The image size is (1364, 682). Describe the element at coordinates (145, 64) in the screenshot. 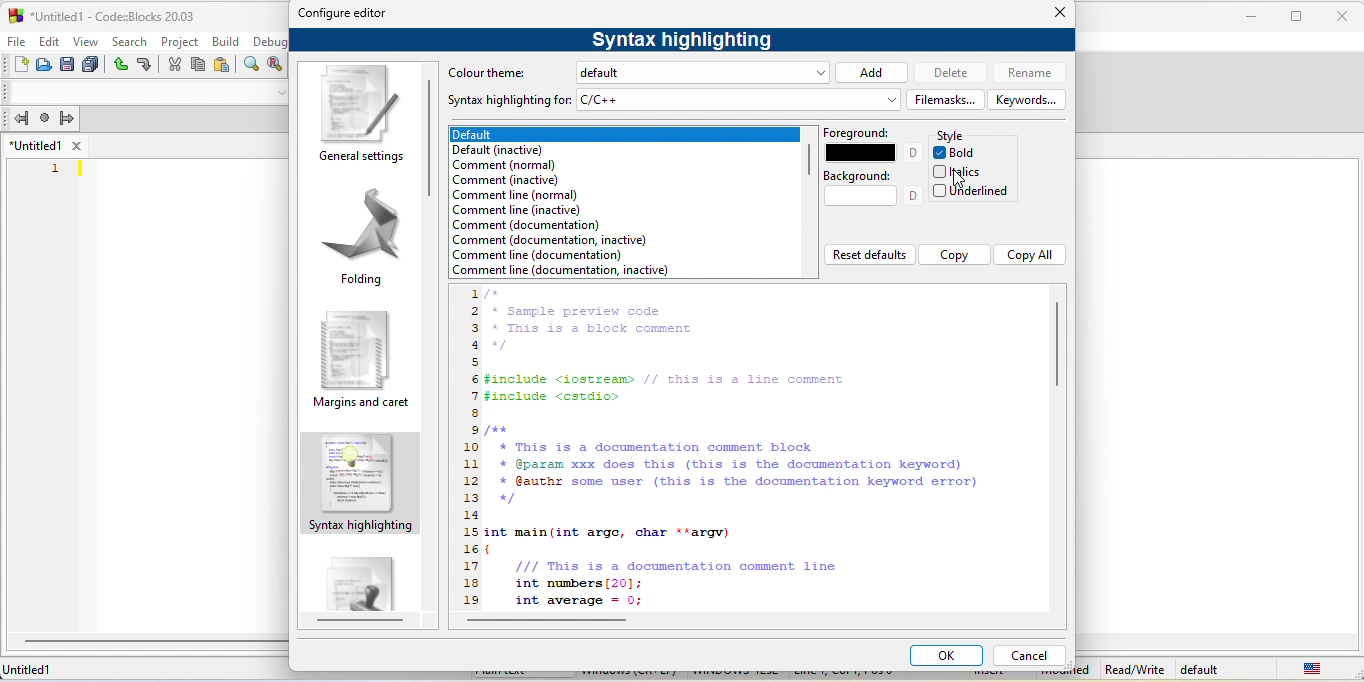

I see `redo` at that location.